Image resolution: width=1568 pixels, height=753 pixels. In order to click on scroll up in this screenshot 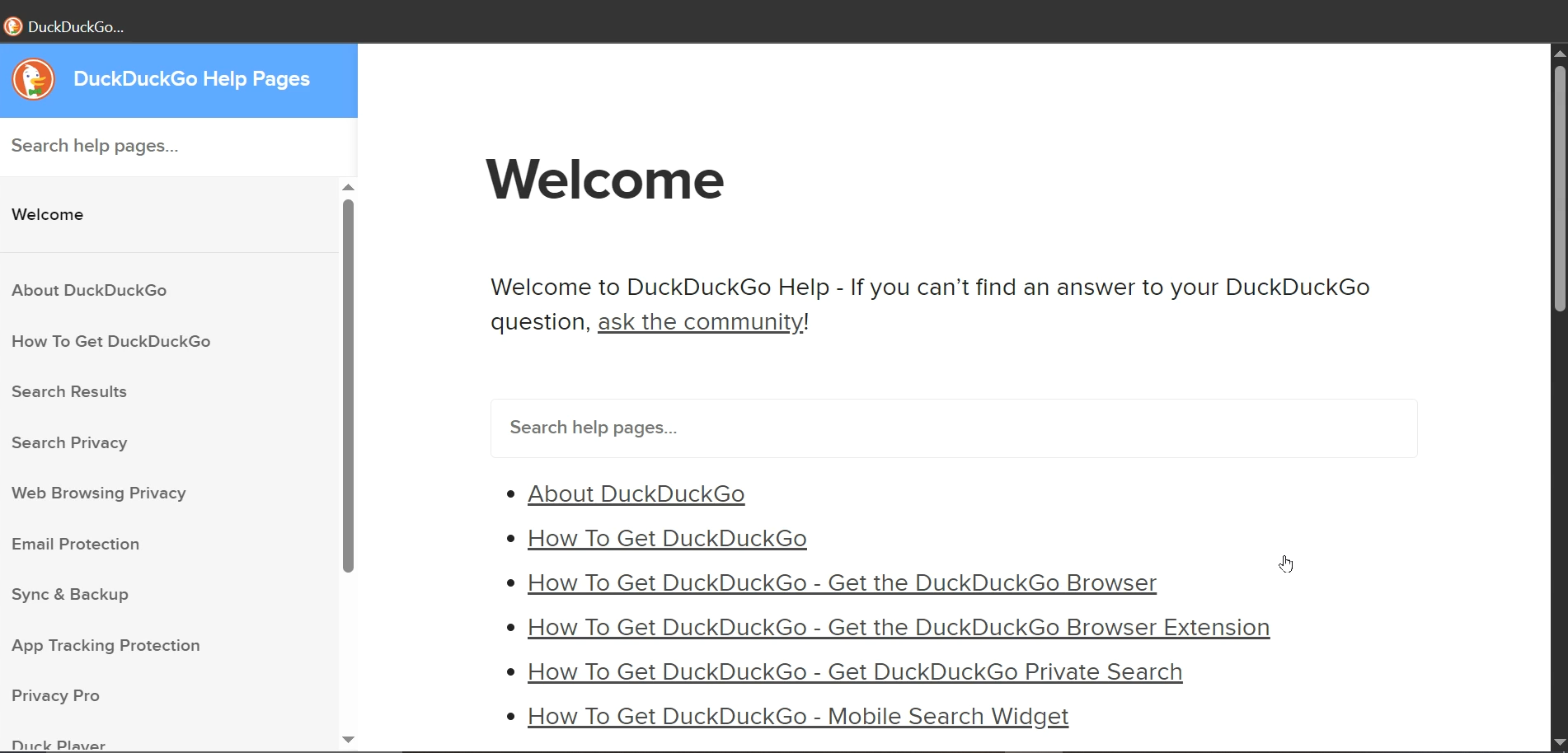, I will do `click(1556, 53)`.